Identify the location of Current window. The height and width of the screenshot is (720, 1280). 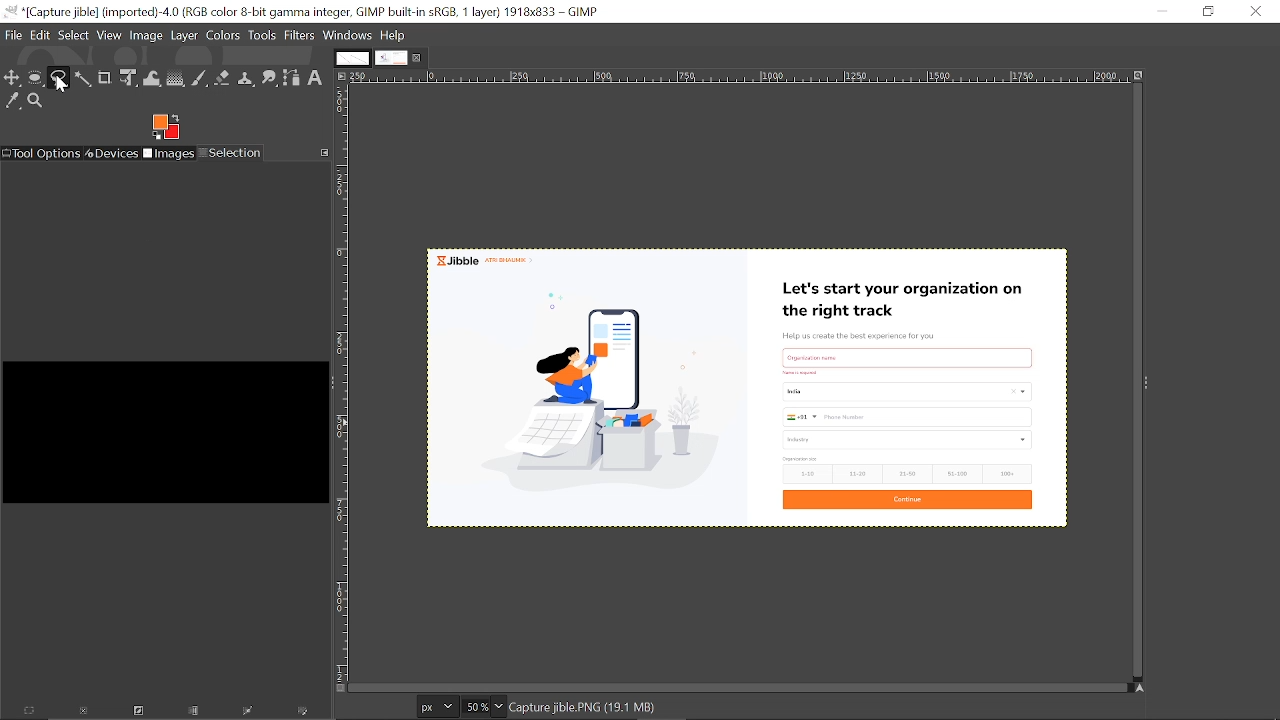
(302, 12).